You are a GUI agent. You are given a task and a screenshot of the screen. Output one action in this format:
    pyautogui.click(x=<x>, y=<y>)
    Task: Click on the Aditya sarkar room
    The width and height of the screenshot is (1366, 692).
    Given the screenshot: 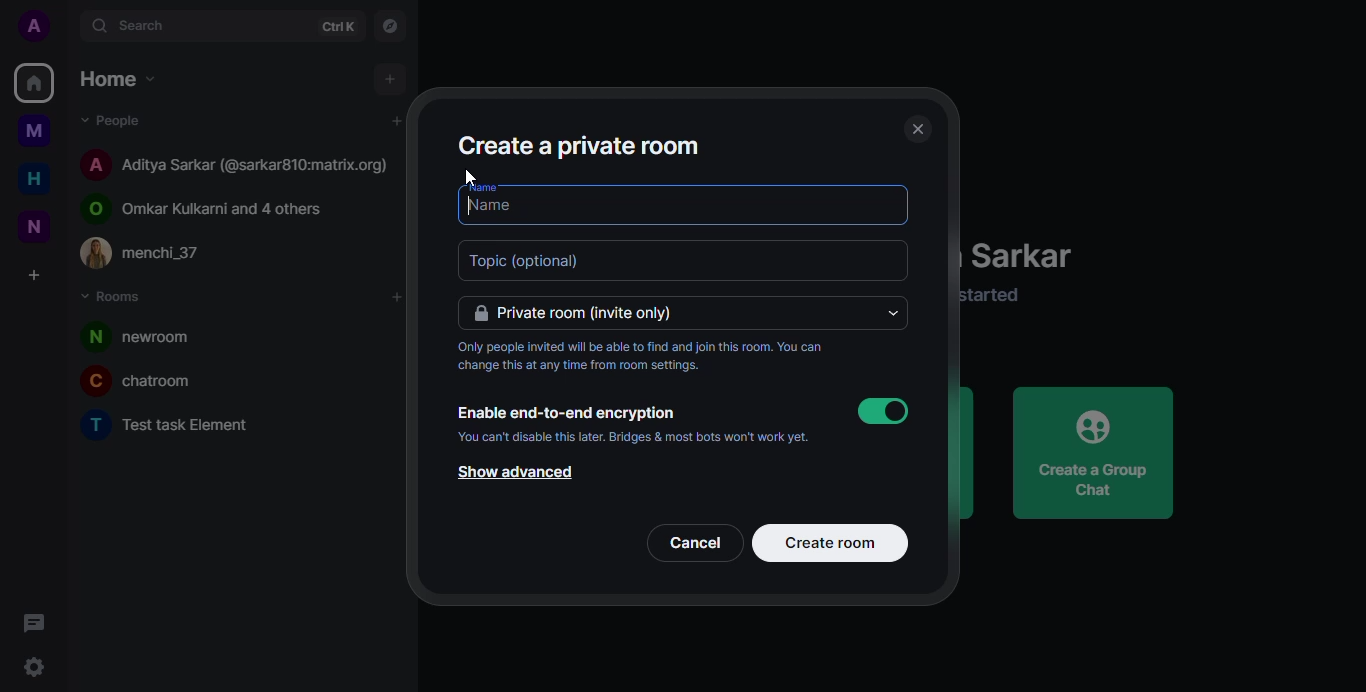 What is the action you would take?
    pyautogui.click(x=237, y=162)
    